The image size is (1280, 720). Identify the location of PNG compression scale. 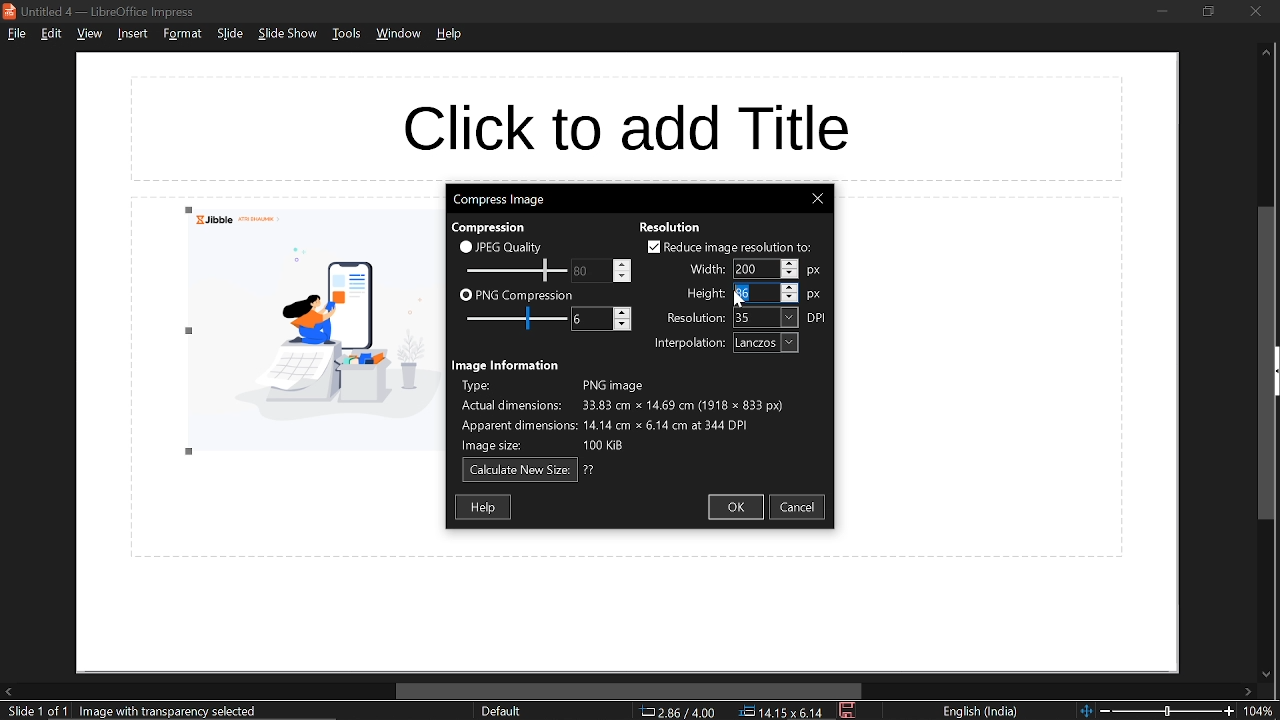
(589, 271).